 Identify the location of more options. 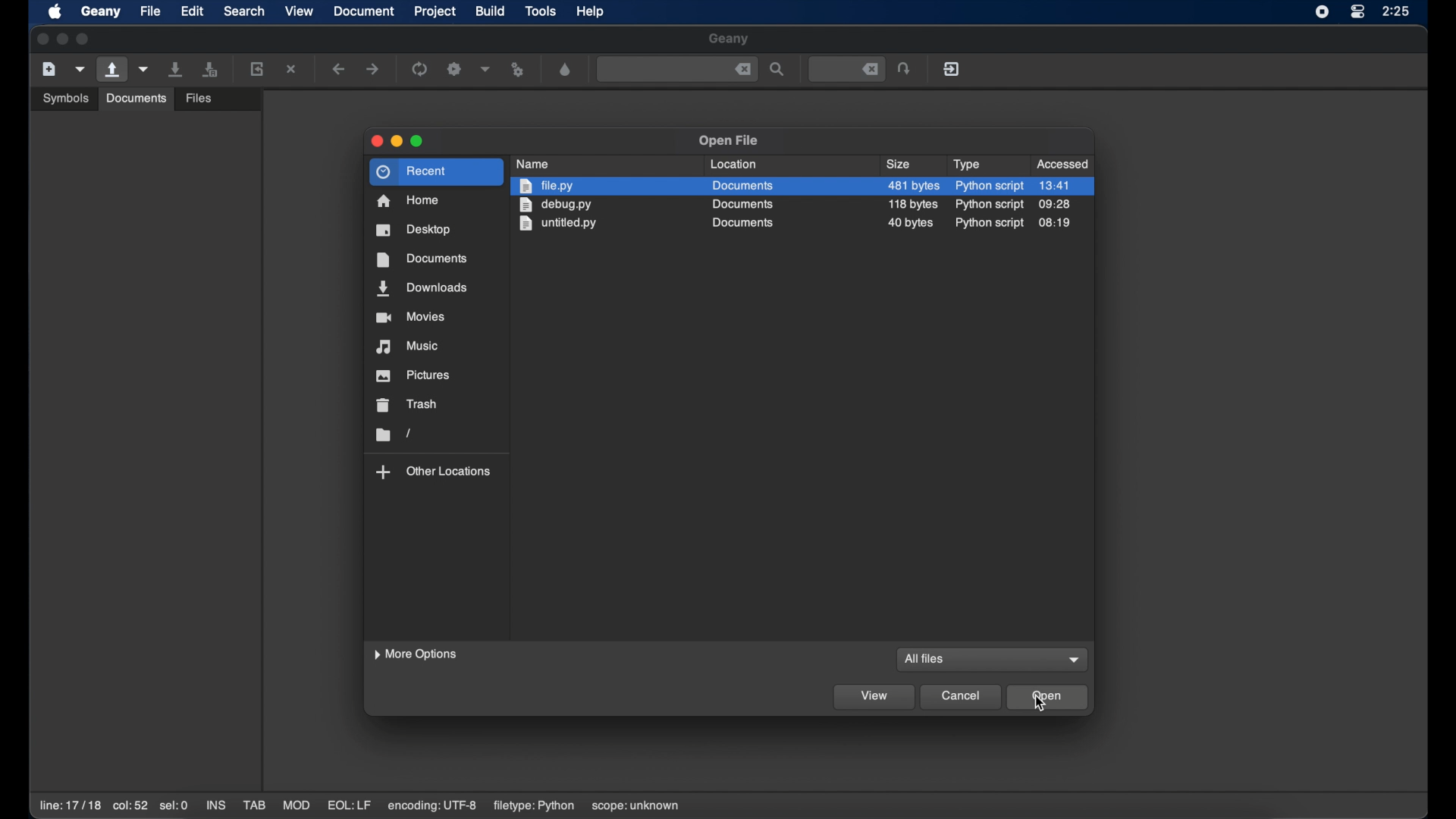
(415, 654).